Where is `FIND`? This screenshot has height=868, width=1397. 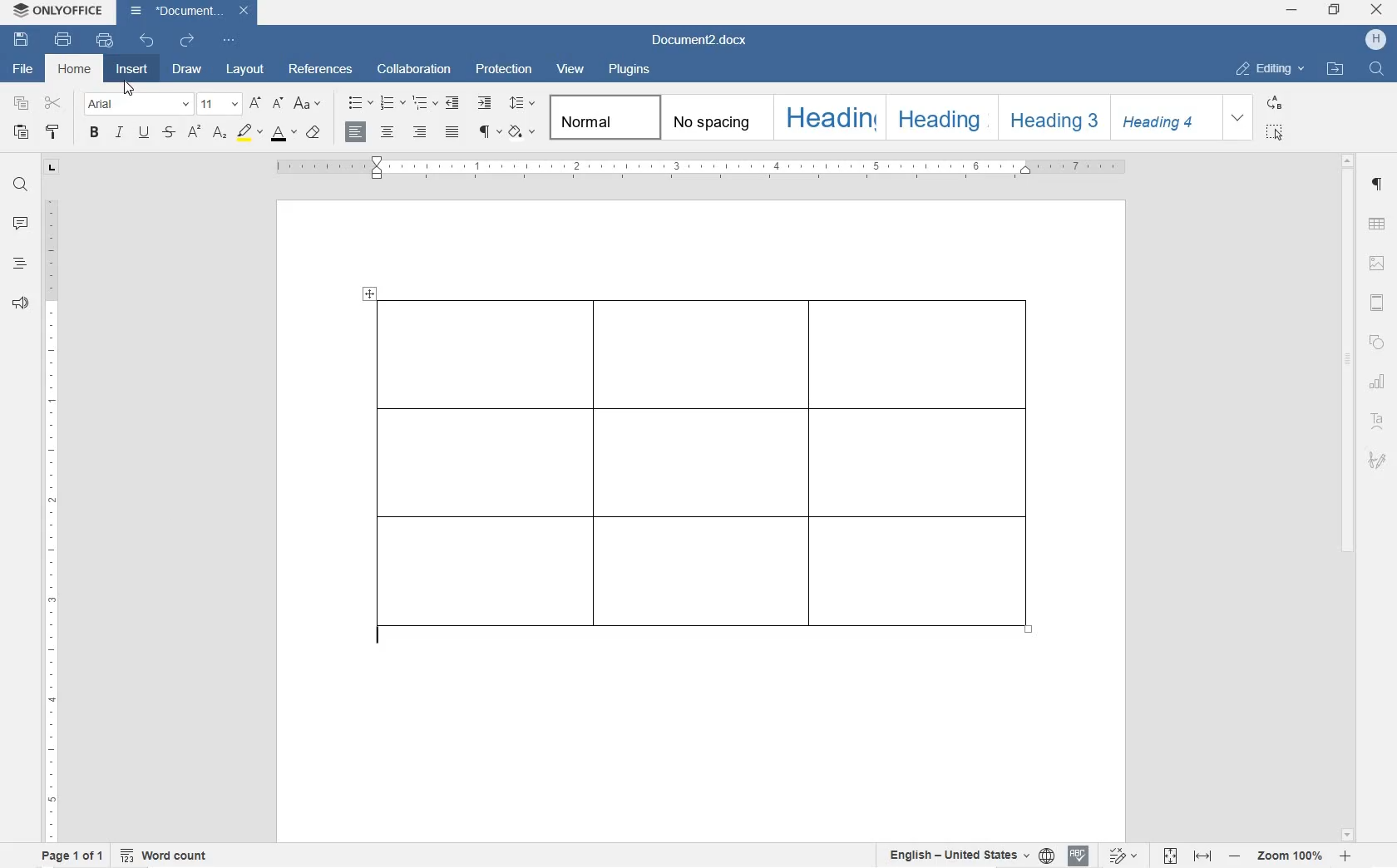 FIND is located at coordinates (1378, 68).